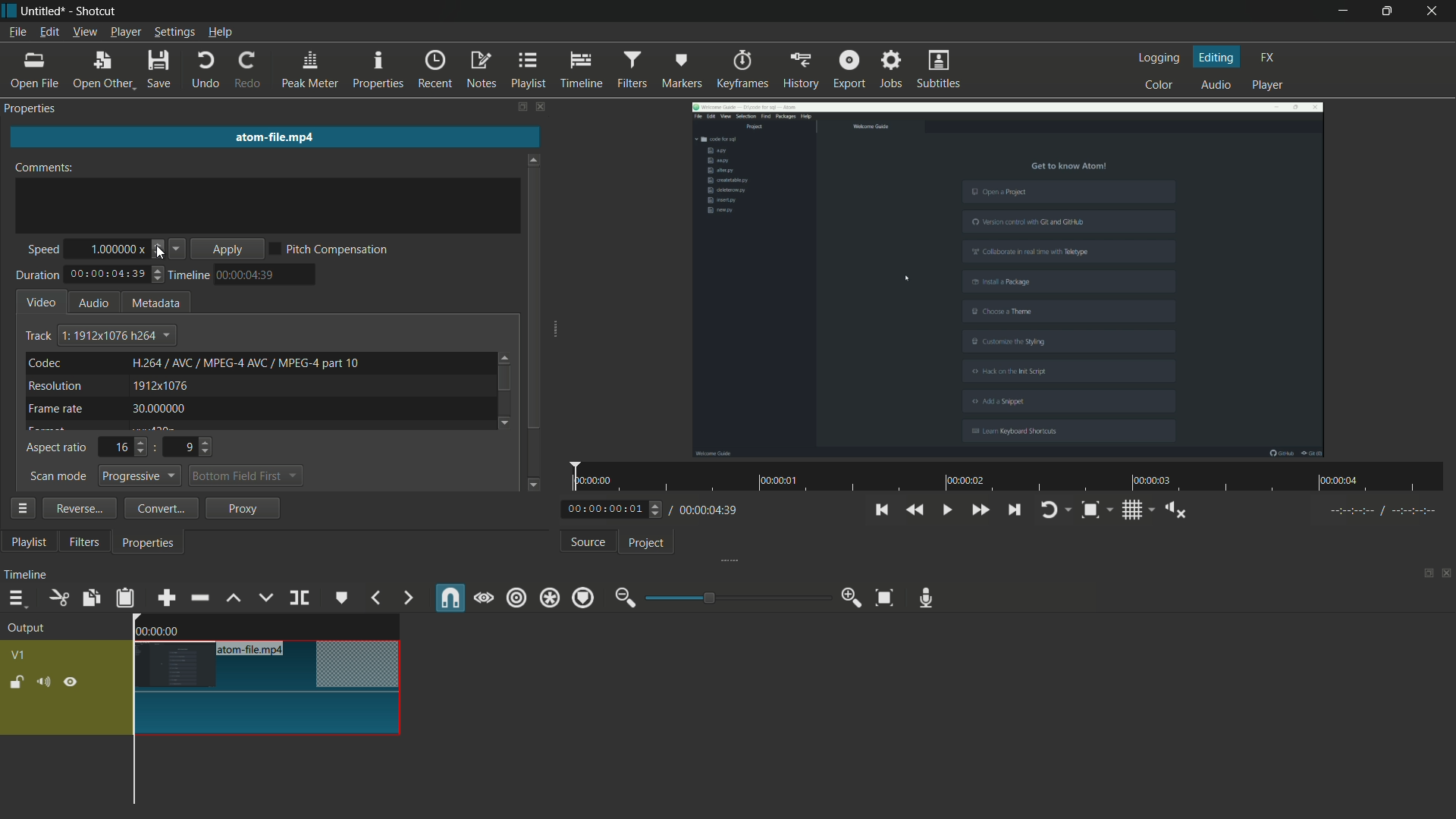 The image size is (1456, 819). What do you see at coordinates (90, 598) in the screenshot?
I see `copy` at bounding box center [90, 598].